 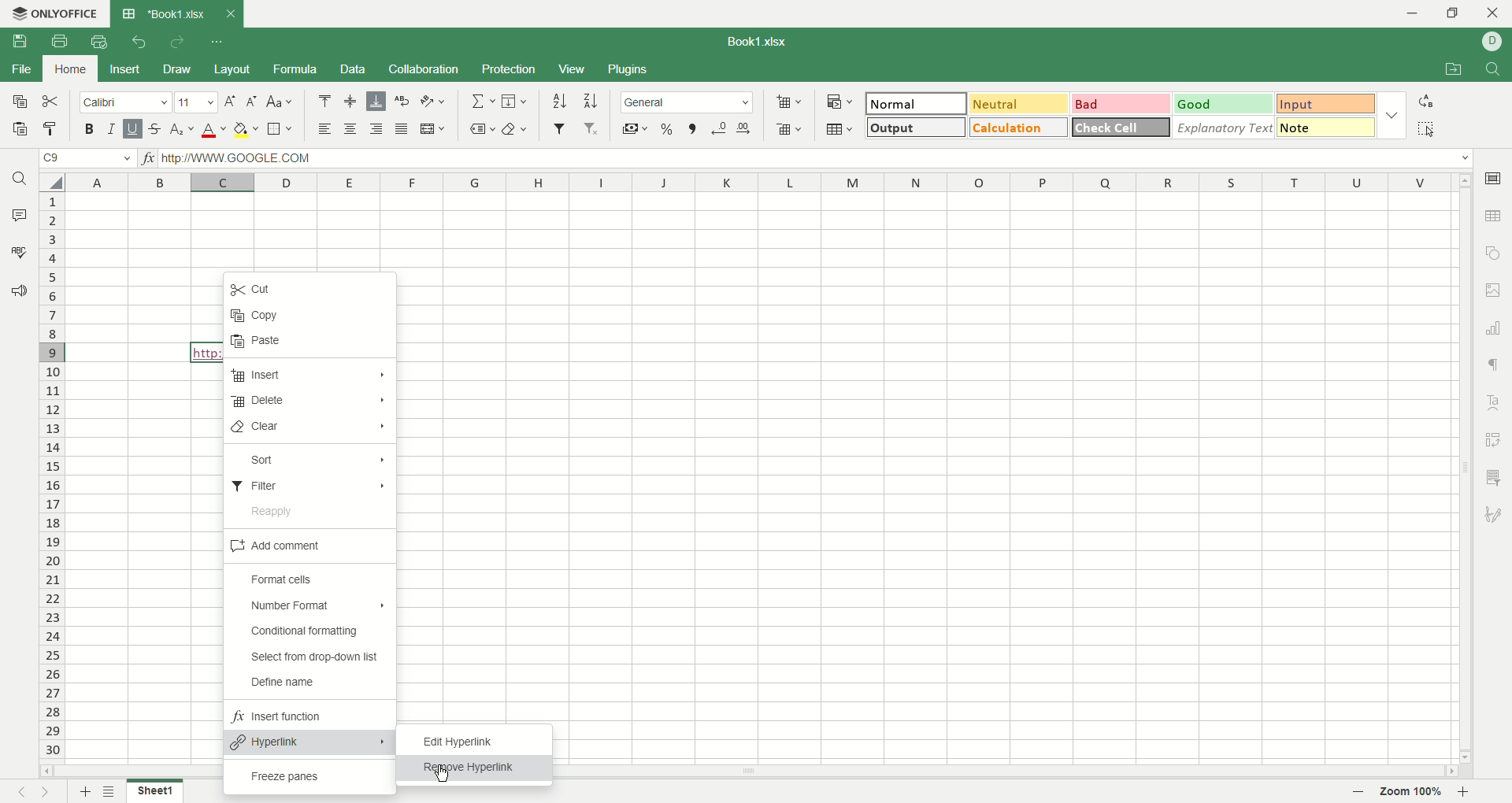 I want to click on column name, so click(x=764, y=182).